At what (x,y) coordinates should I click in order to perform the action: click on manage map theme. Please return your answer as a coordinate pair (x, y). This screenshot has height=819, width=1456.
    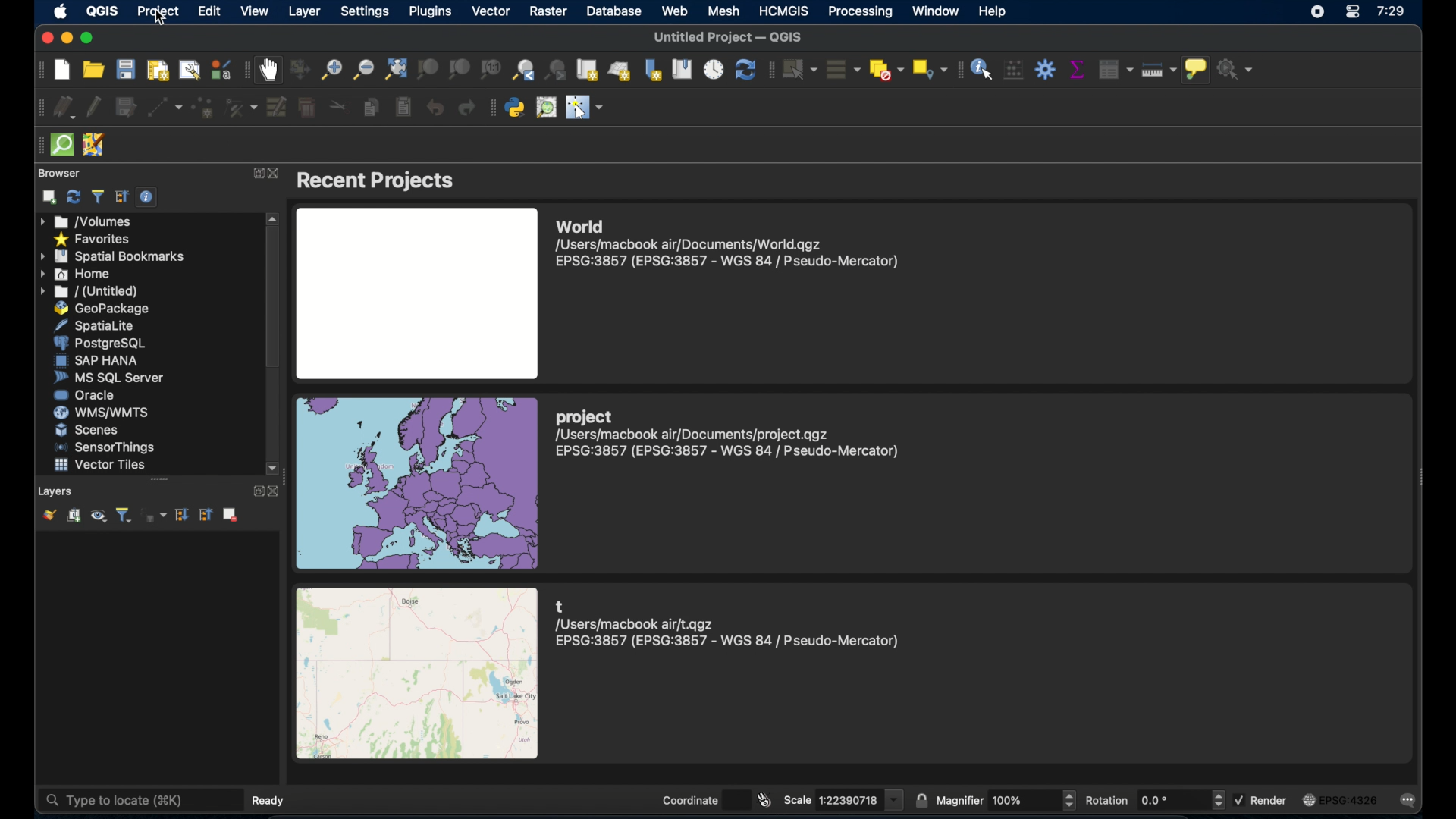
    Looking at the image, I should click on (98, 516).